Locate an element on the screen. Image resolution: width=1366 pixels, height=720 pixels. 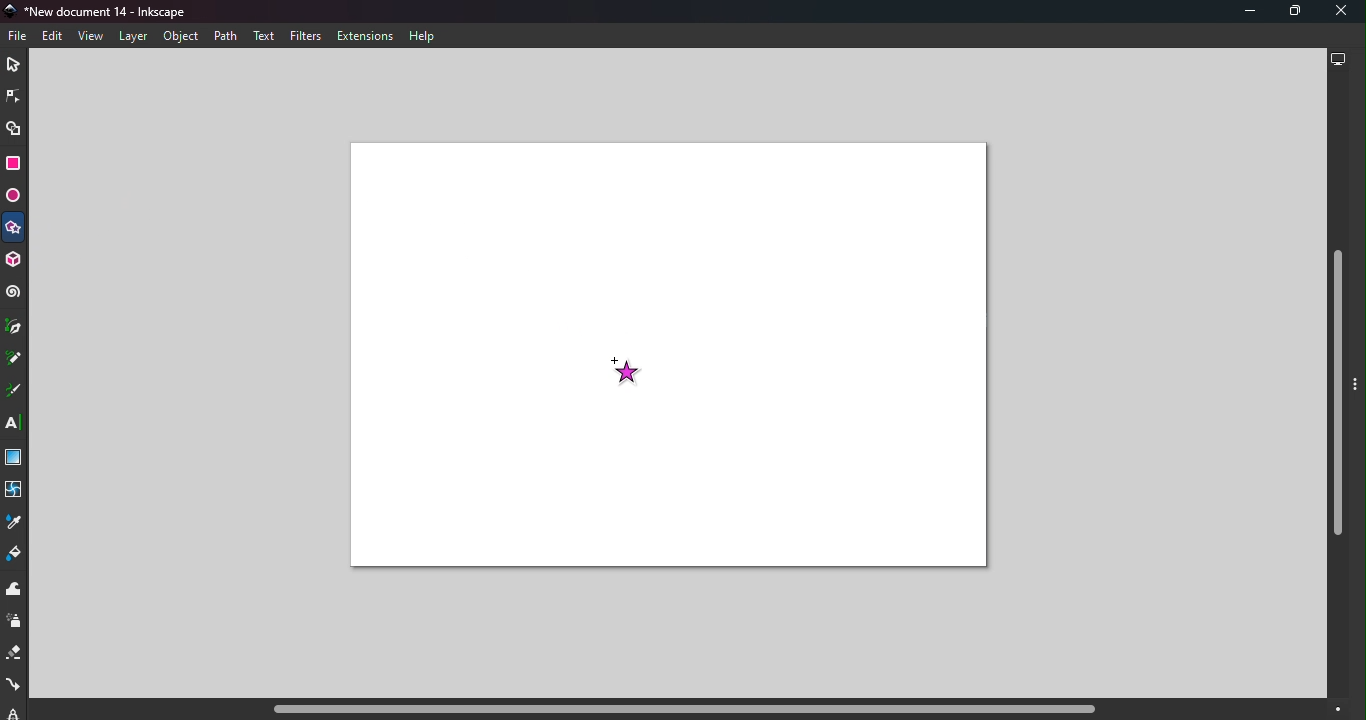
File is located at coordinates (21, 36).